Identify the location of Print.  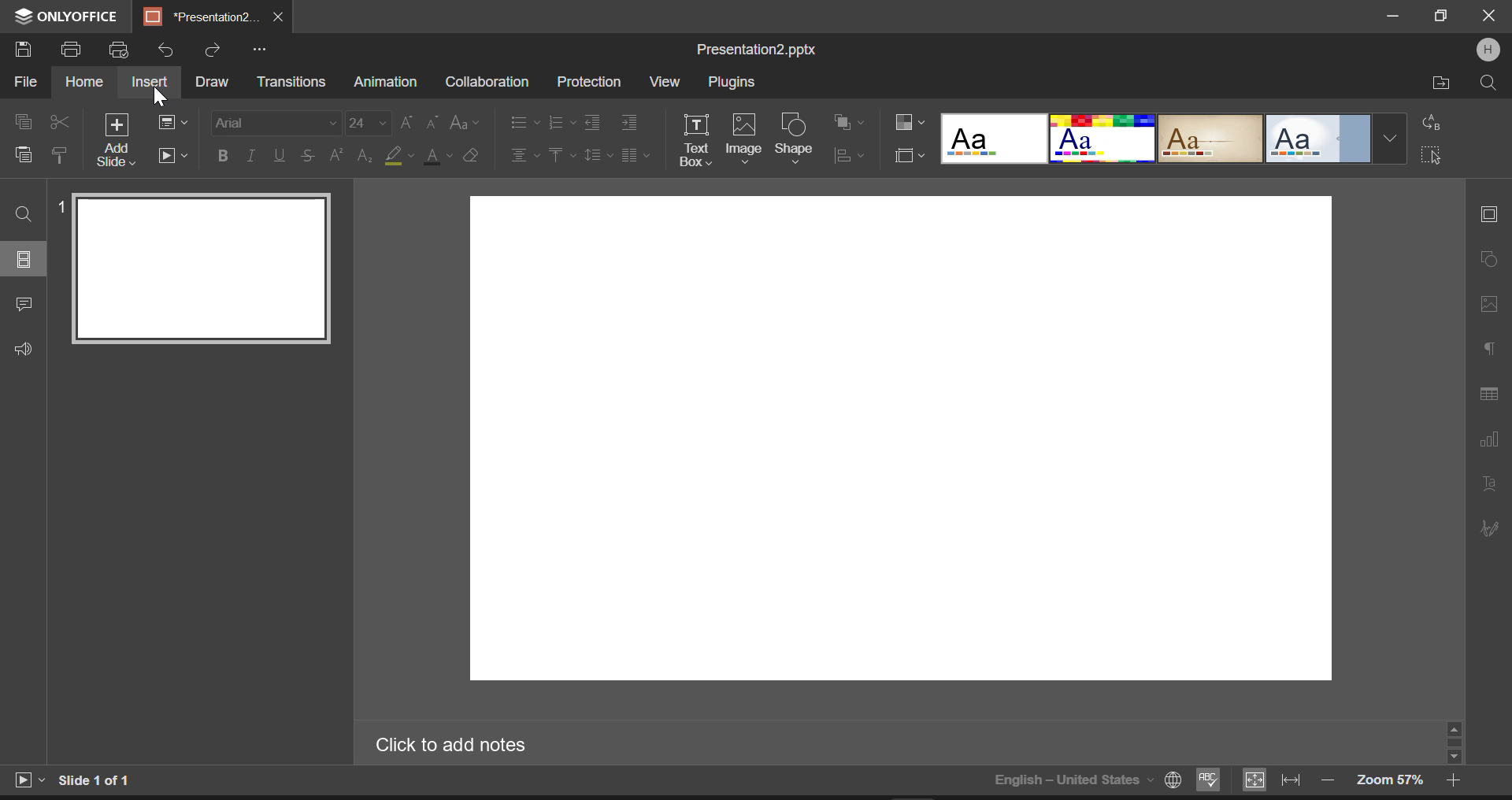
(74, 51).